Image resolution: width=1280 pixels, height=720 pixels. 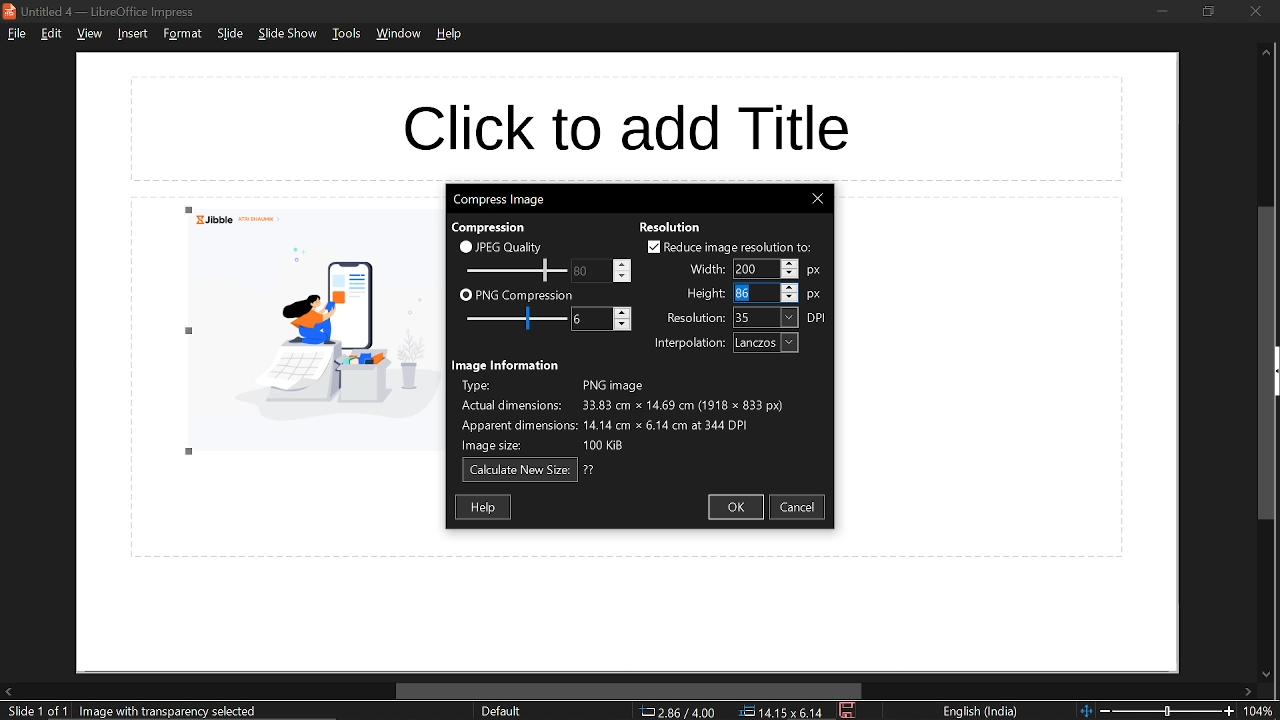 What do you see at coordinates (451, 34) in the screenshot?
I see `help` at bounding box center [451, 34].